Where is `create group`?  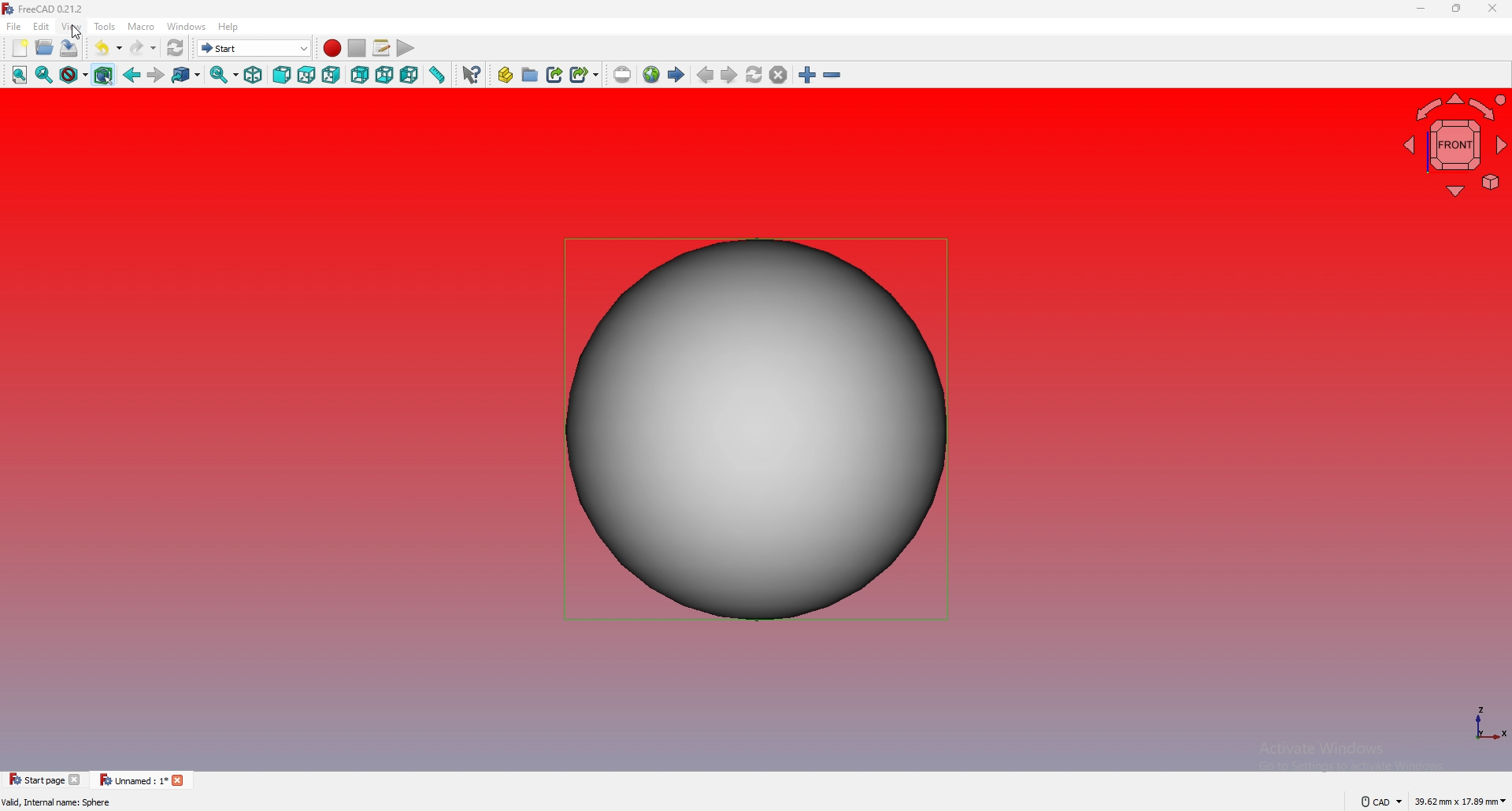
create group is located at coordinates (530, 75).